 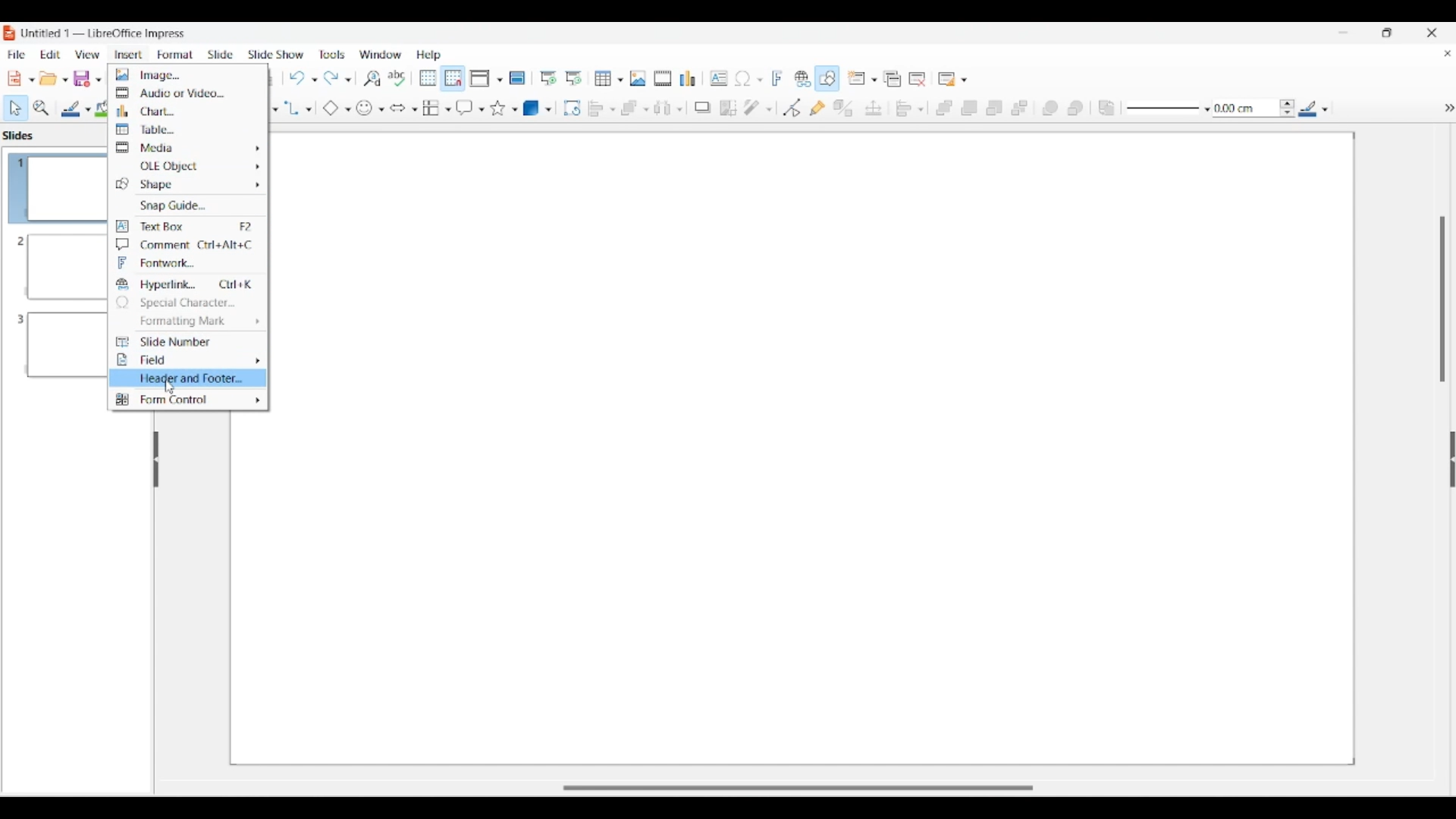 What do you see at coordinates (634, 108) in the screenshot?
I see `Arrange options` at bounding box center [634, 108].